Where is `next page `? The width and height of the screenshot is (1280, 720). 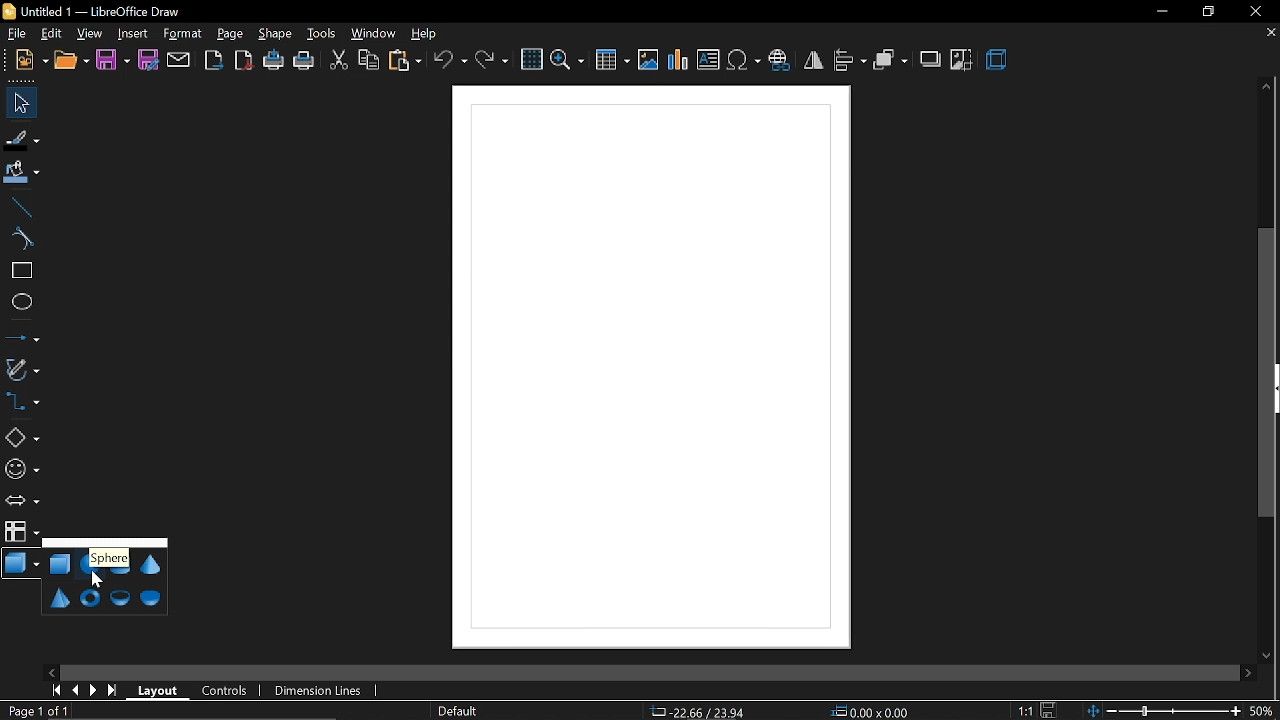
next page  is located at coordinates (96, 689).